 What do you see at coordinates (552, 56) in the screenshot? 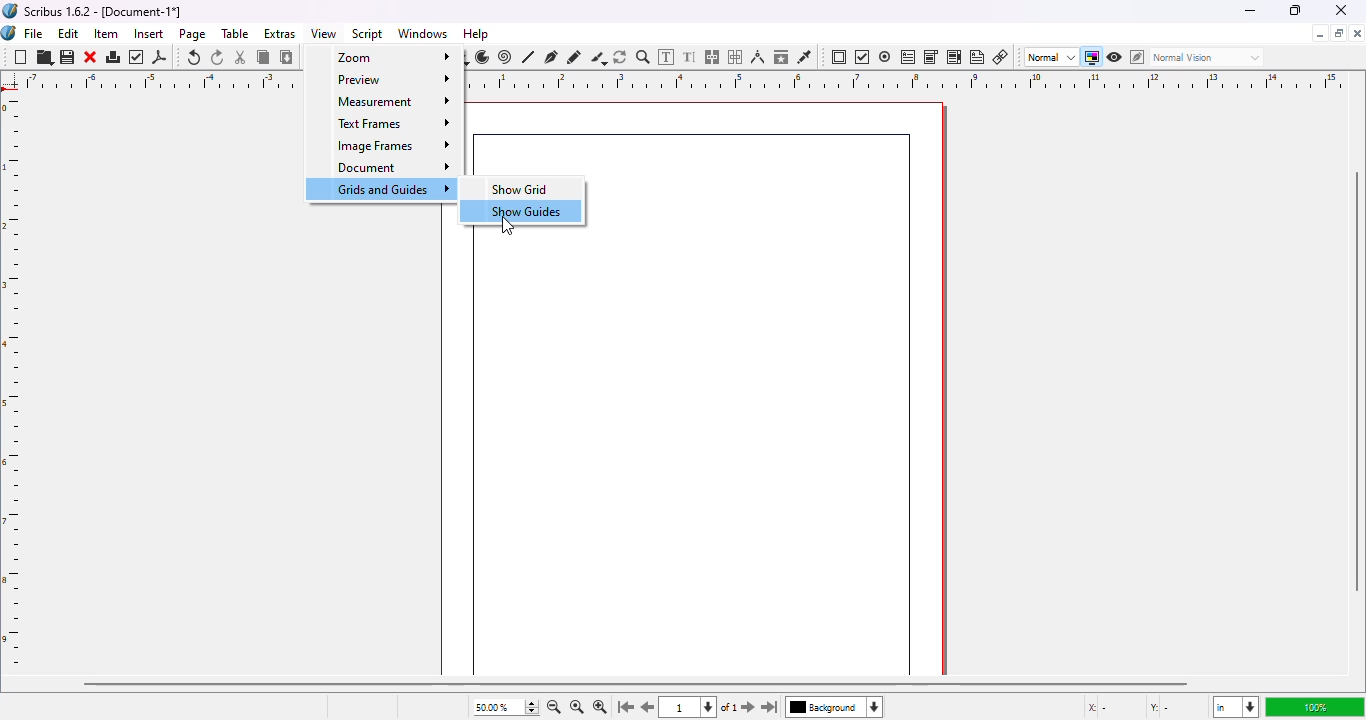
I see `bezier curve` at bounding box center [552, 56].